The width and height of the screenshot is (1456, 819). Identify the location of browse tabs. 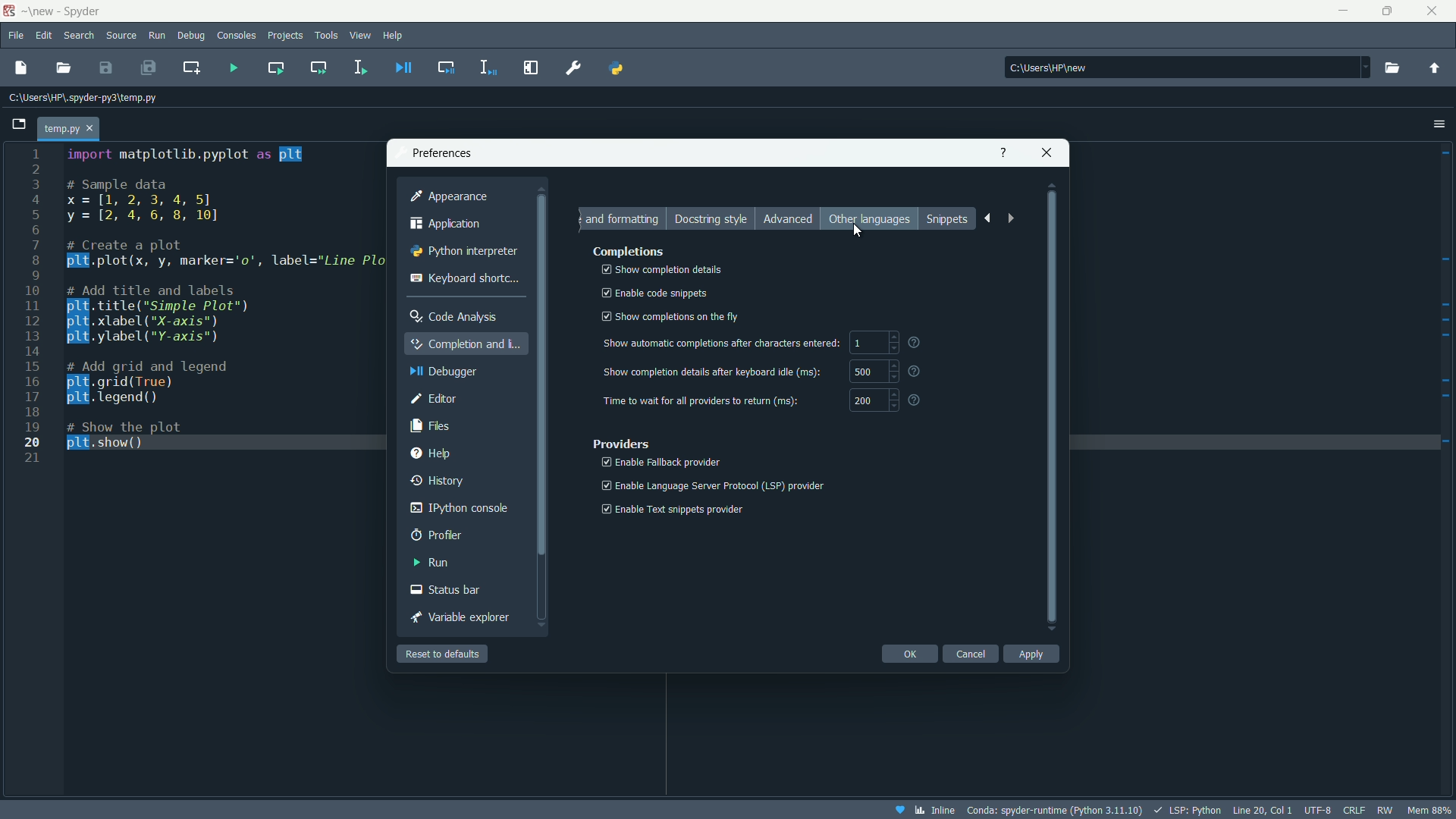
(20, 123).